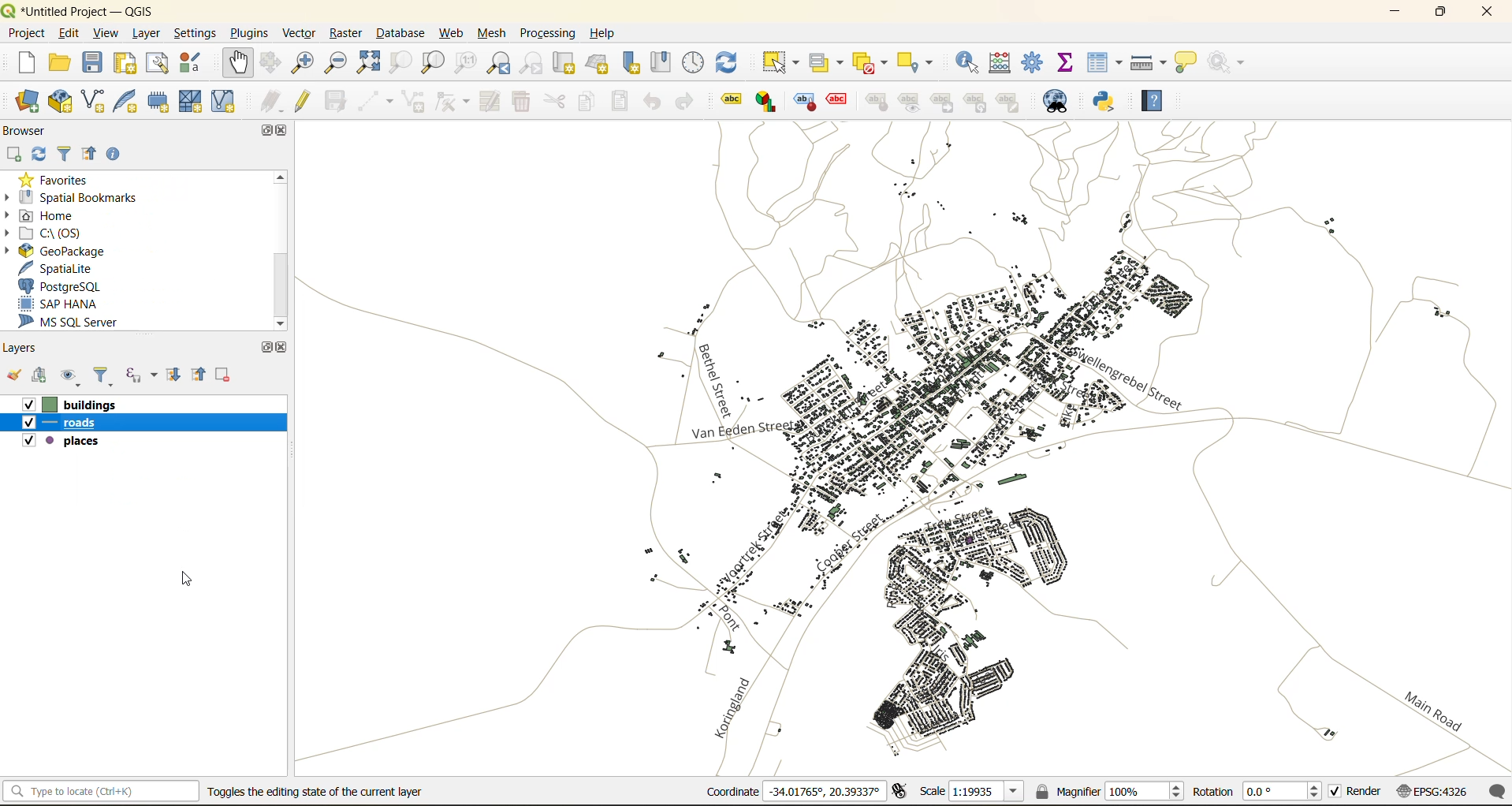 This screenshot has height=806, width=1512. I want to click on new virtual layer, so click(220, 102).